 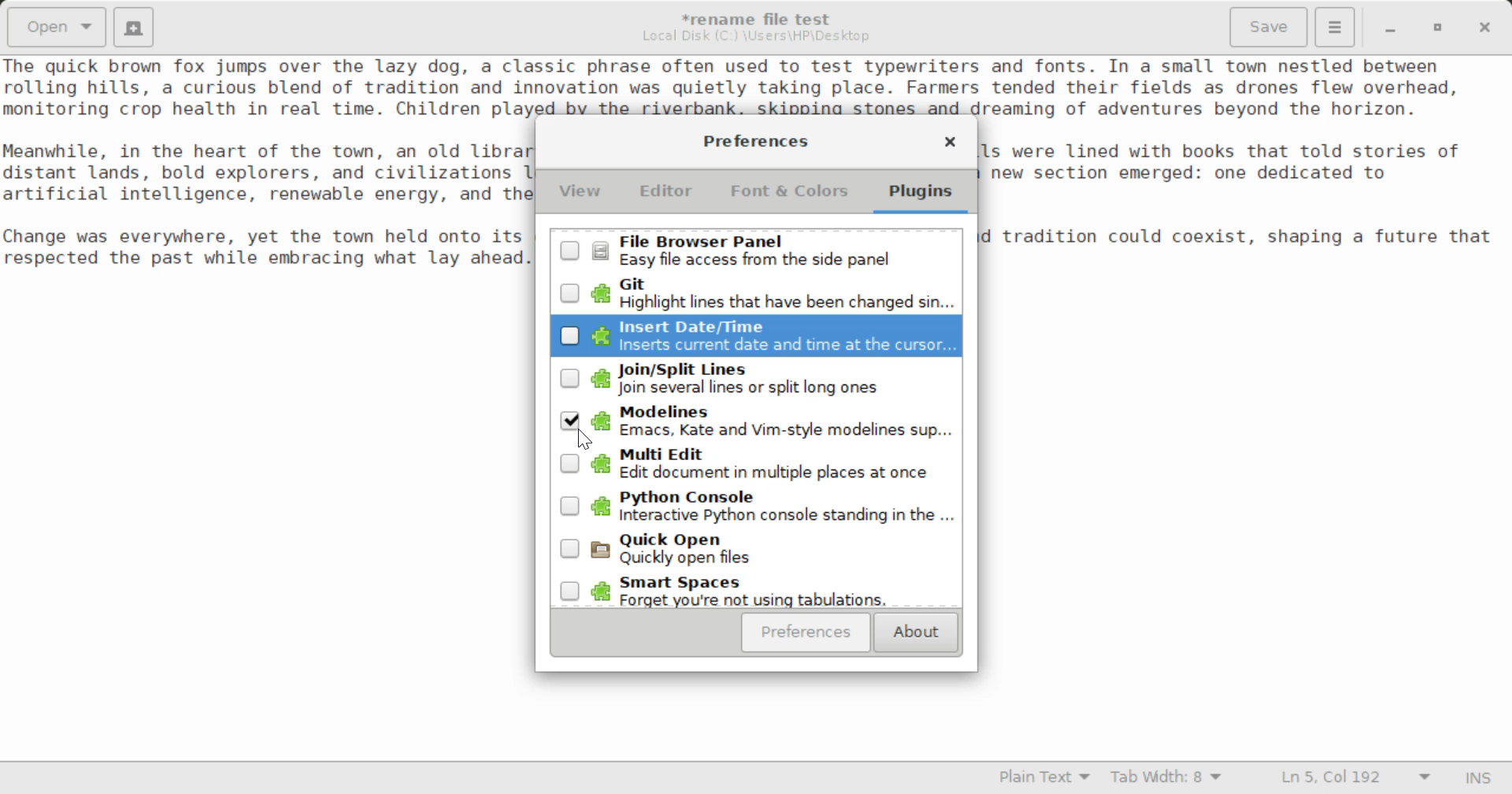 I want to click on Unselected Smart Spaces, so click(x=754, y=592).